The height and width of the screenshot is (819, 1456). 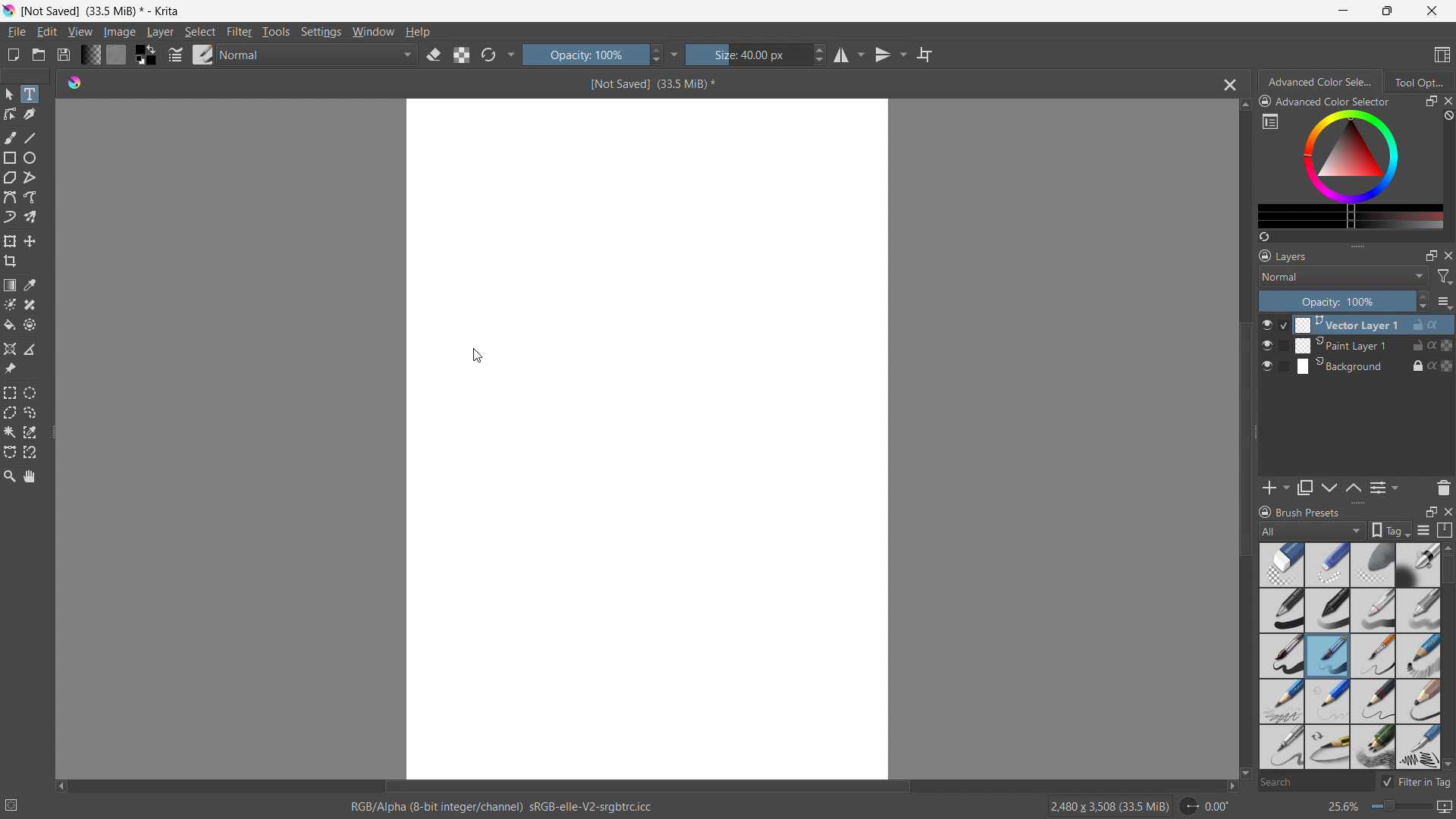 I want to click on magnetic curve selection tool, so click(x=30, y=453).